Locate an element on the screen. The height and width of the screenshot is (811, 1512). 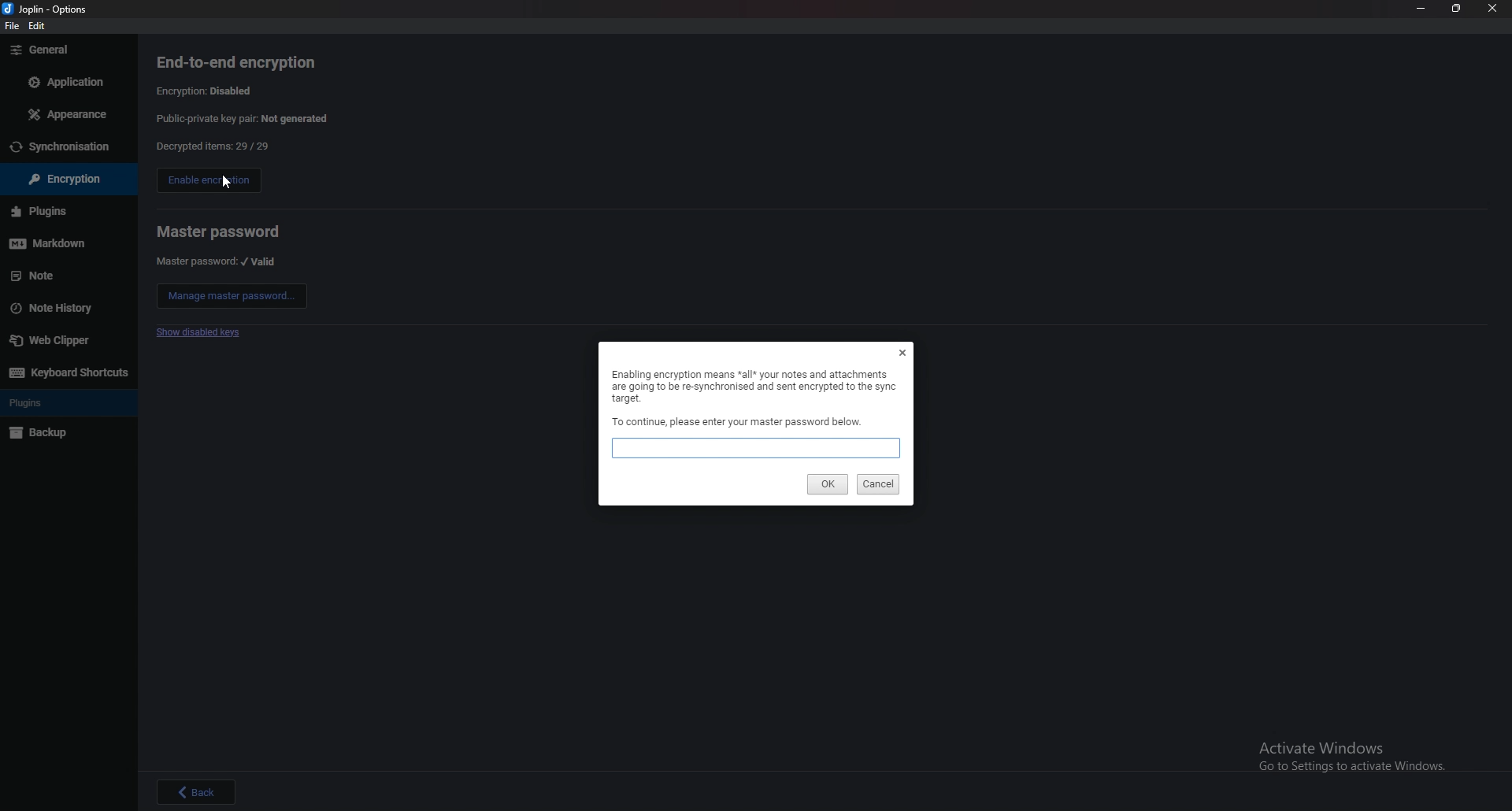
show disabled keys is located at coordinates (198, 334).